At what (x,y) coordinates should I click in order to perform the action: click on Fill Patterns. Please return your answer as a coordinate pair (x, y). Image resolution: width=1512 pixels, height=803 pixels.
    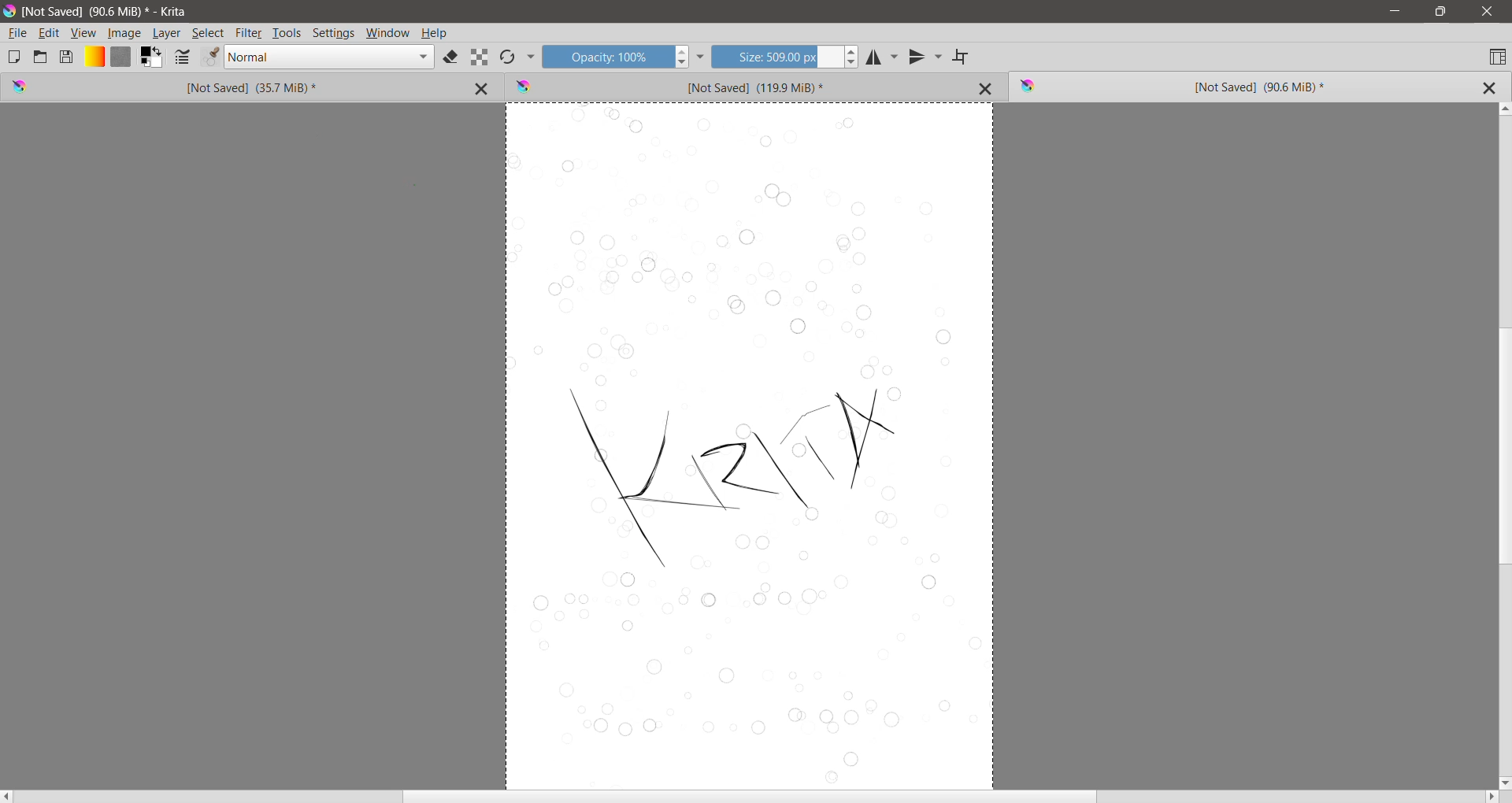
    Looking at the image, I should click on (120, 57).